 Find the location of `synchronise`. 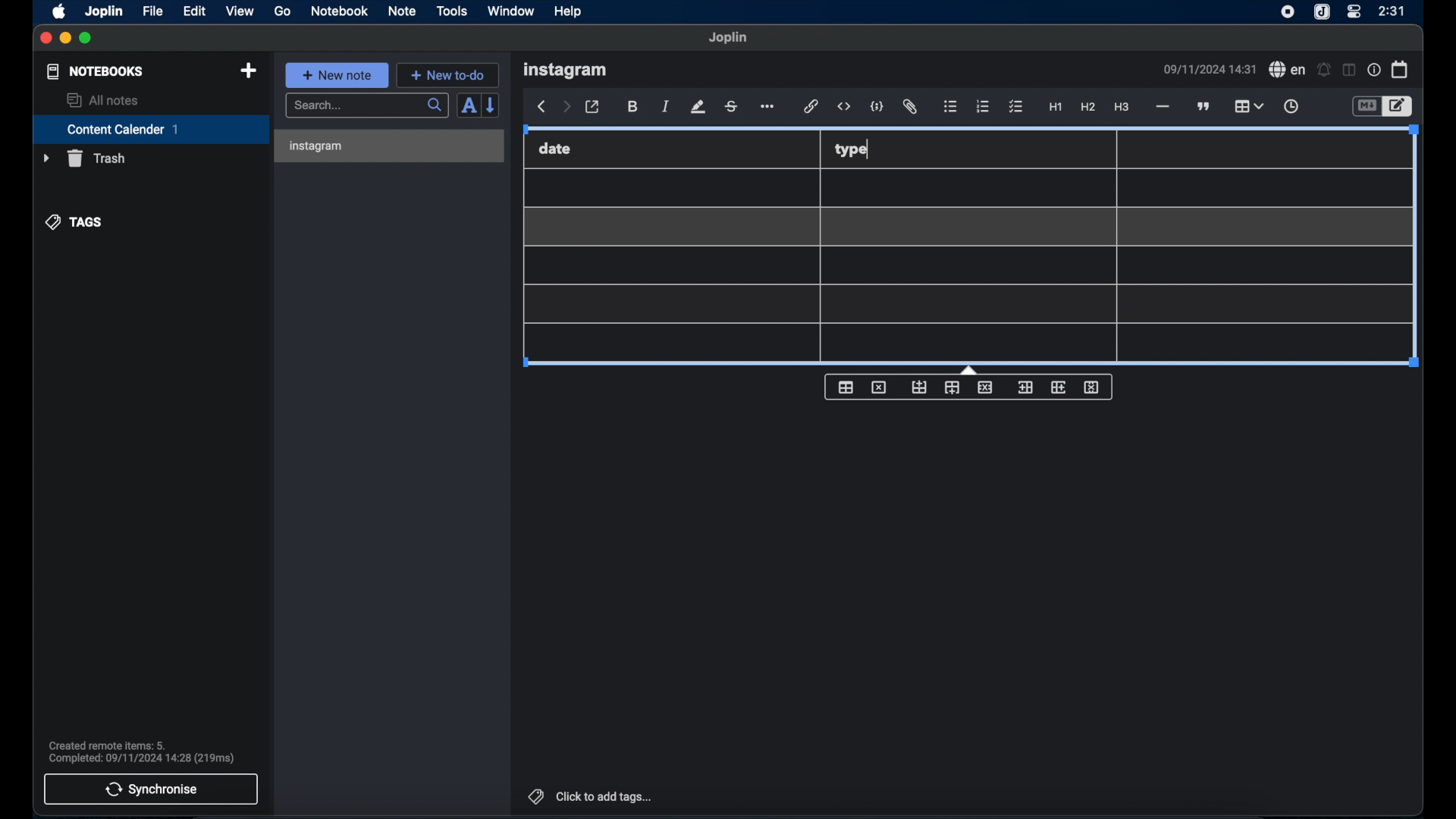

synchronise is located at coordinates (151, 789).